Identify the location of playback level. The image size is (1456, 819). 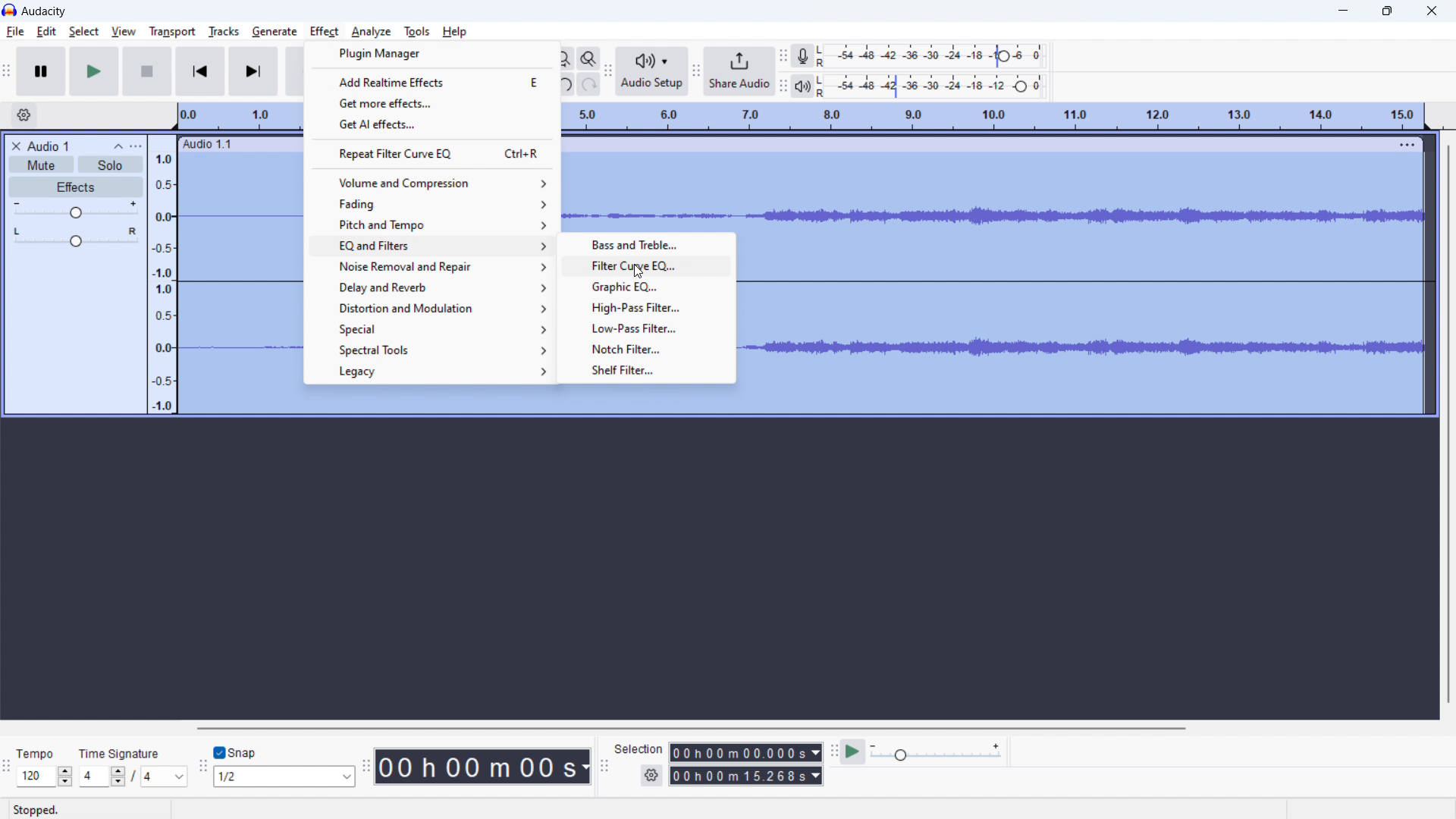
(936, 86).